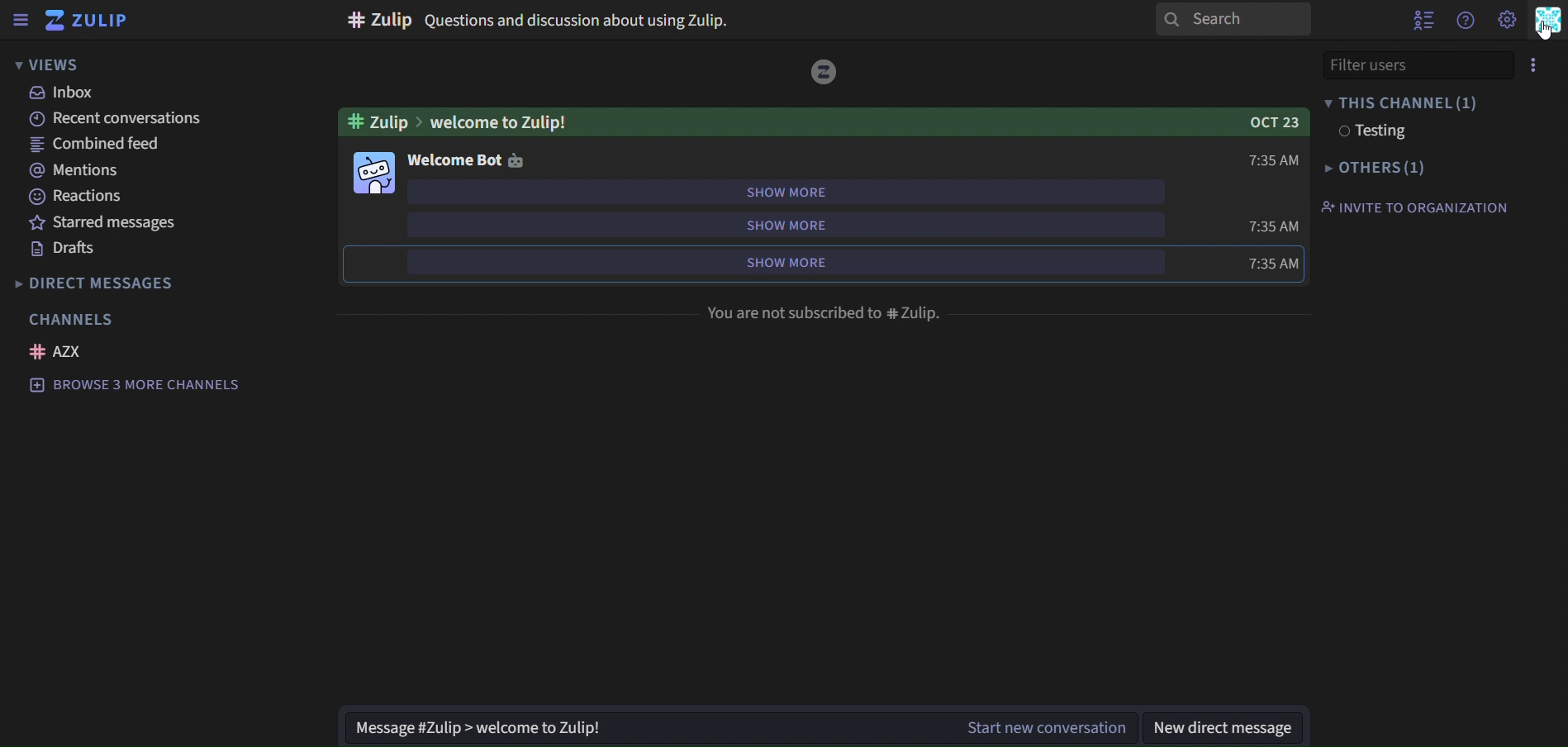 Image resolution: width=1568 pixels, height=747 pixels. What do you see at coordinates (74, 198) in the screenshot?
I see `reactions` at bounding box center [74, 198].